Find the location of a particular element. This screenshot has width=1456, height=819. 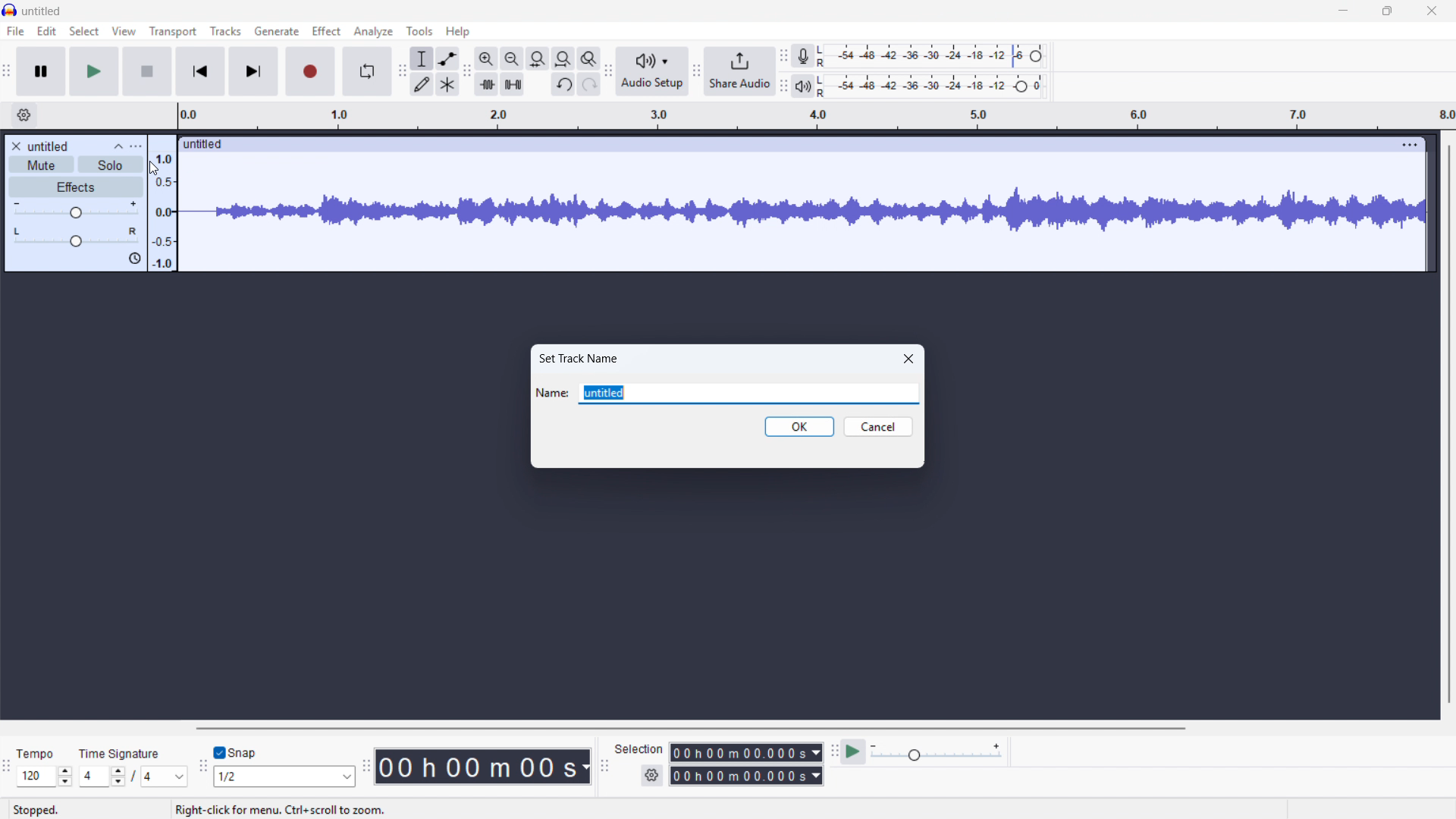

Recording level  is located at coordinates (936, 55).